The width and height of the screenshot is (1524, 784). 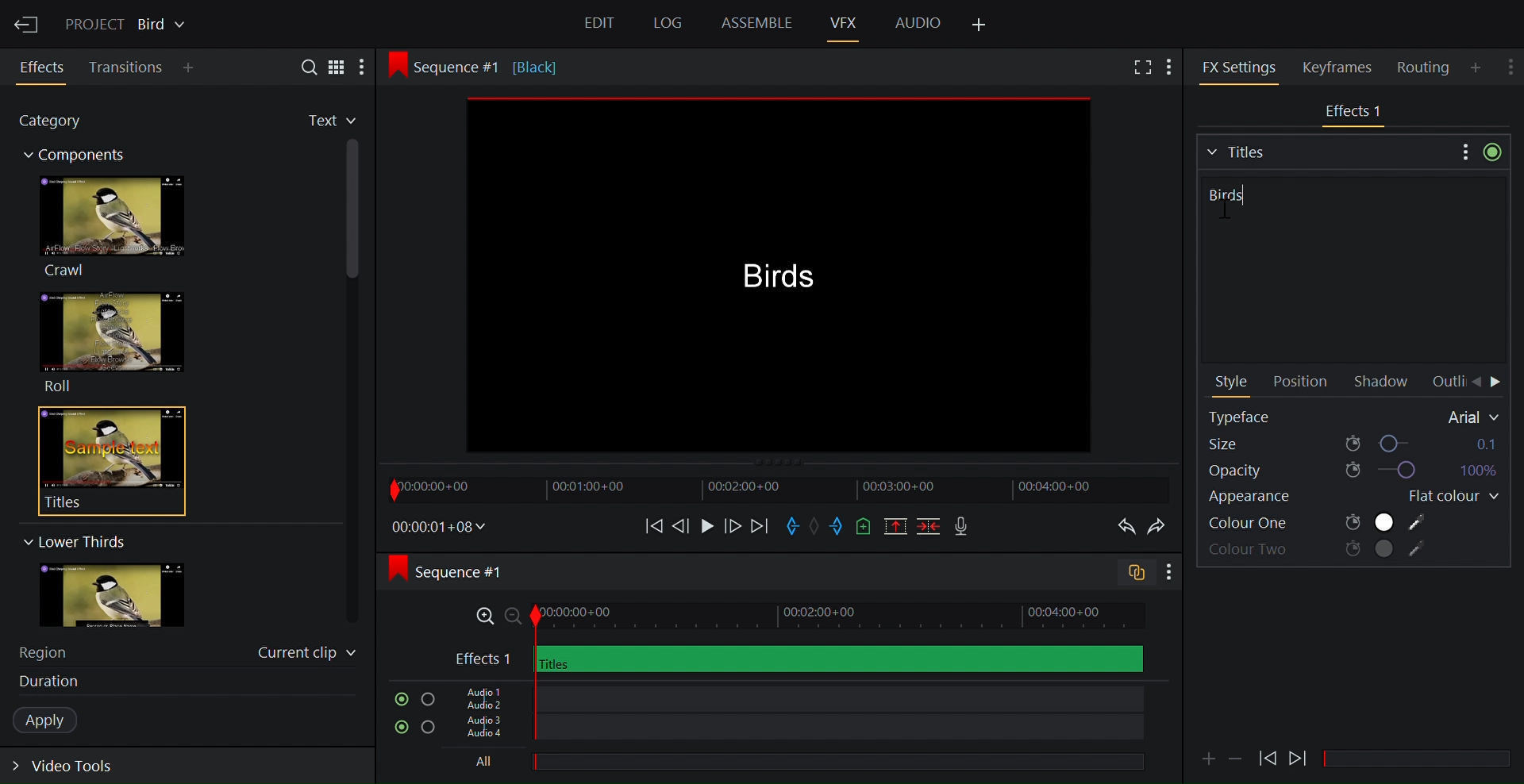 What do you see at coordinates (464, 571) in the screenshot?
I see `Sequence` at bounding box center [464, 571].